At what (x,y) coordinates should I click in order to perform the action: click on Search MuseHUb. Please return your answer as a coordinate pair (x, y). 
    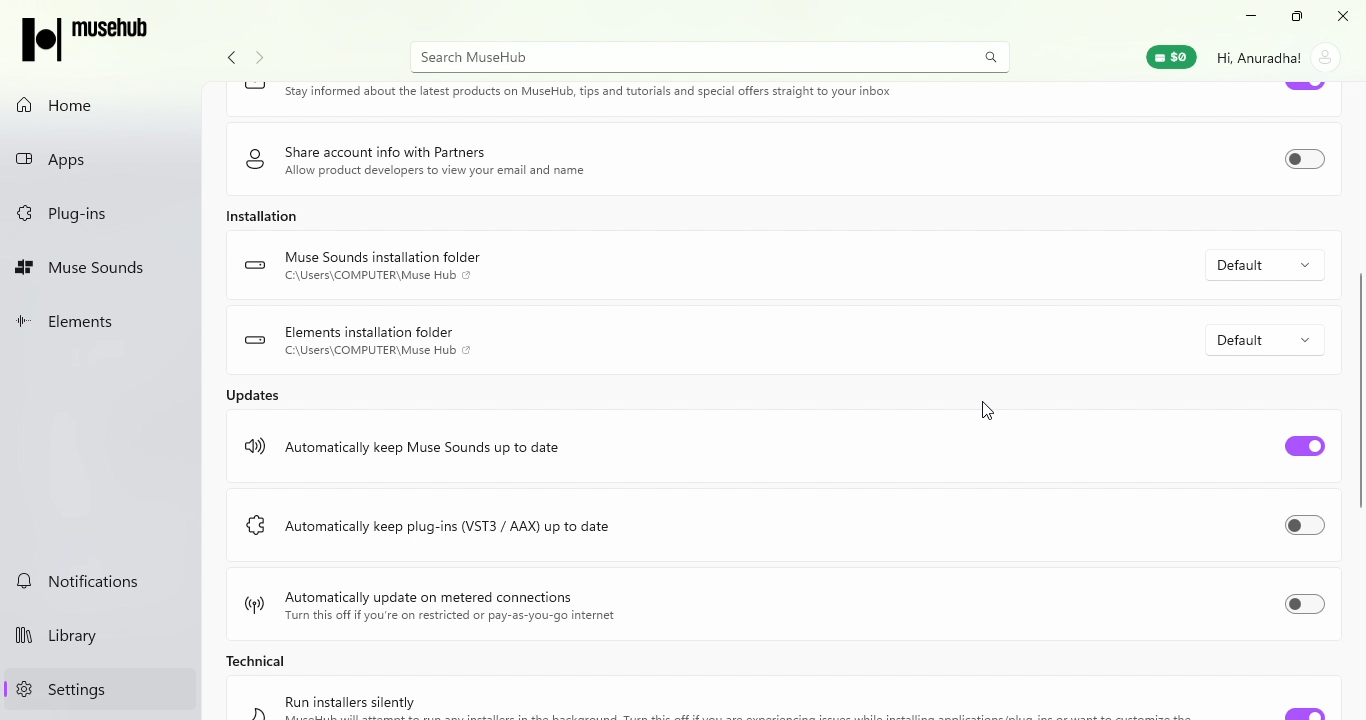
    Looking at the image, I should click on (708, 58).